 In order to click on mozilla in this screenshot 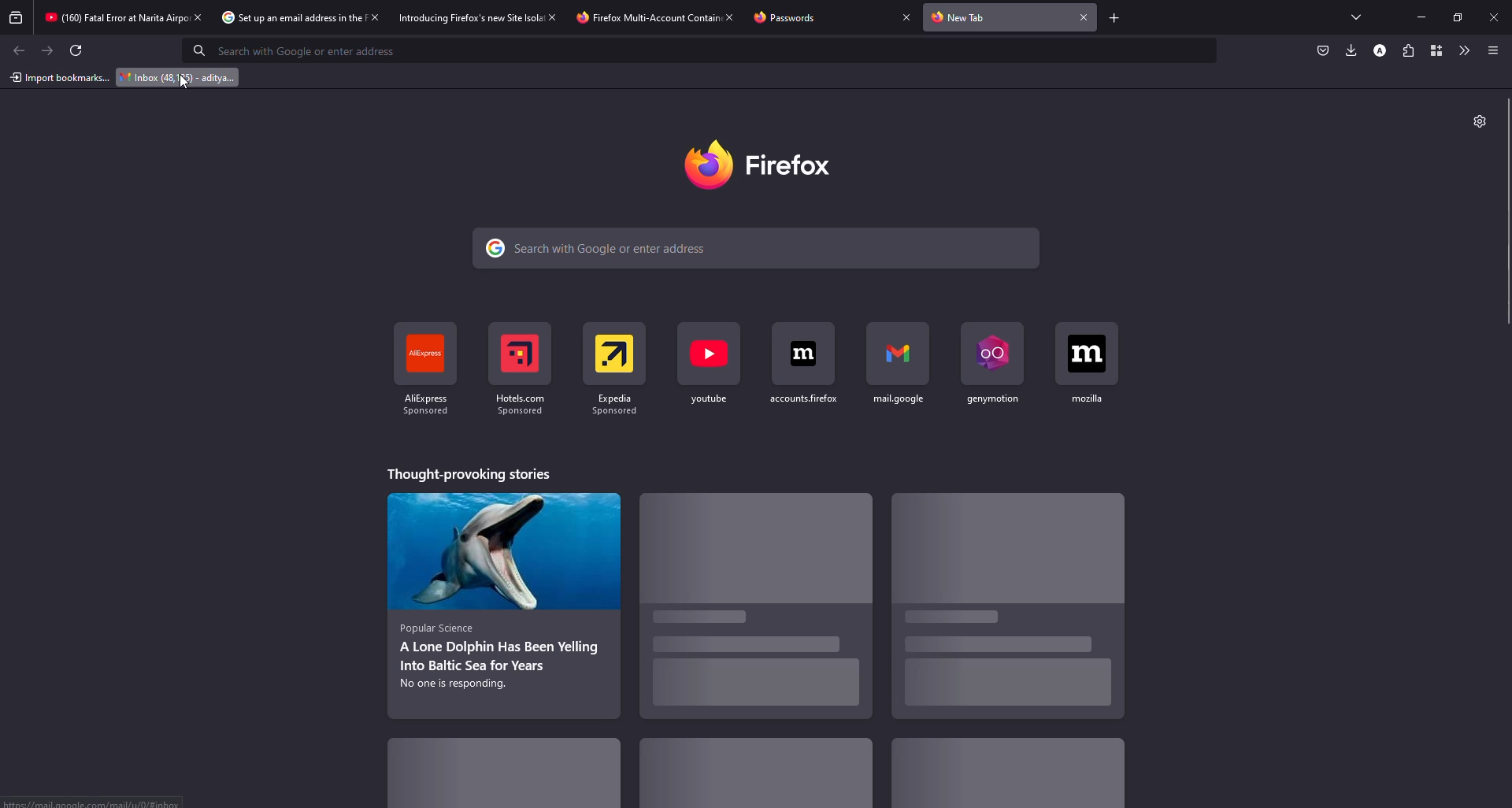, I will do `click(1091, 398)`.